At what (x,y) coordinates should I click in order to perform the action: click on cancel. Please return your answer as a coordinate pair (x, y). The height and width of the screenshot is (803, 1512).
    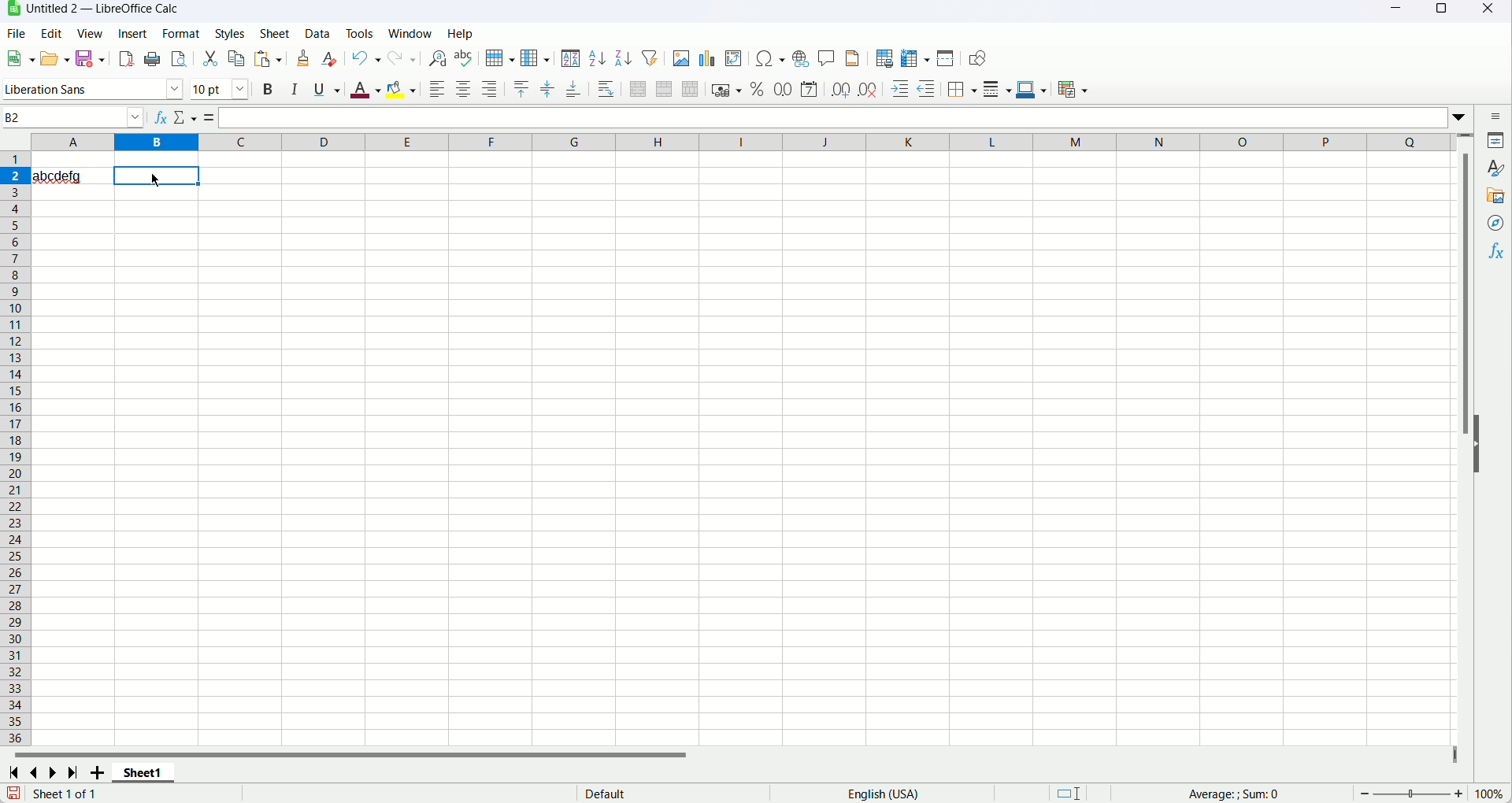
    Looking at the image, I should click on (181, 117).